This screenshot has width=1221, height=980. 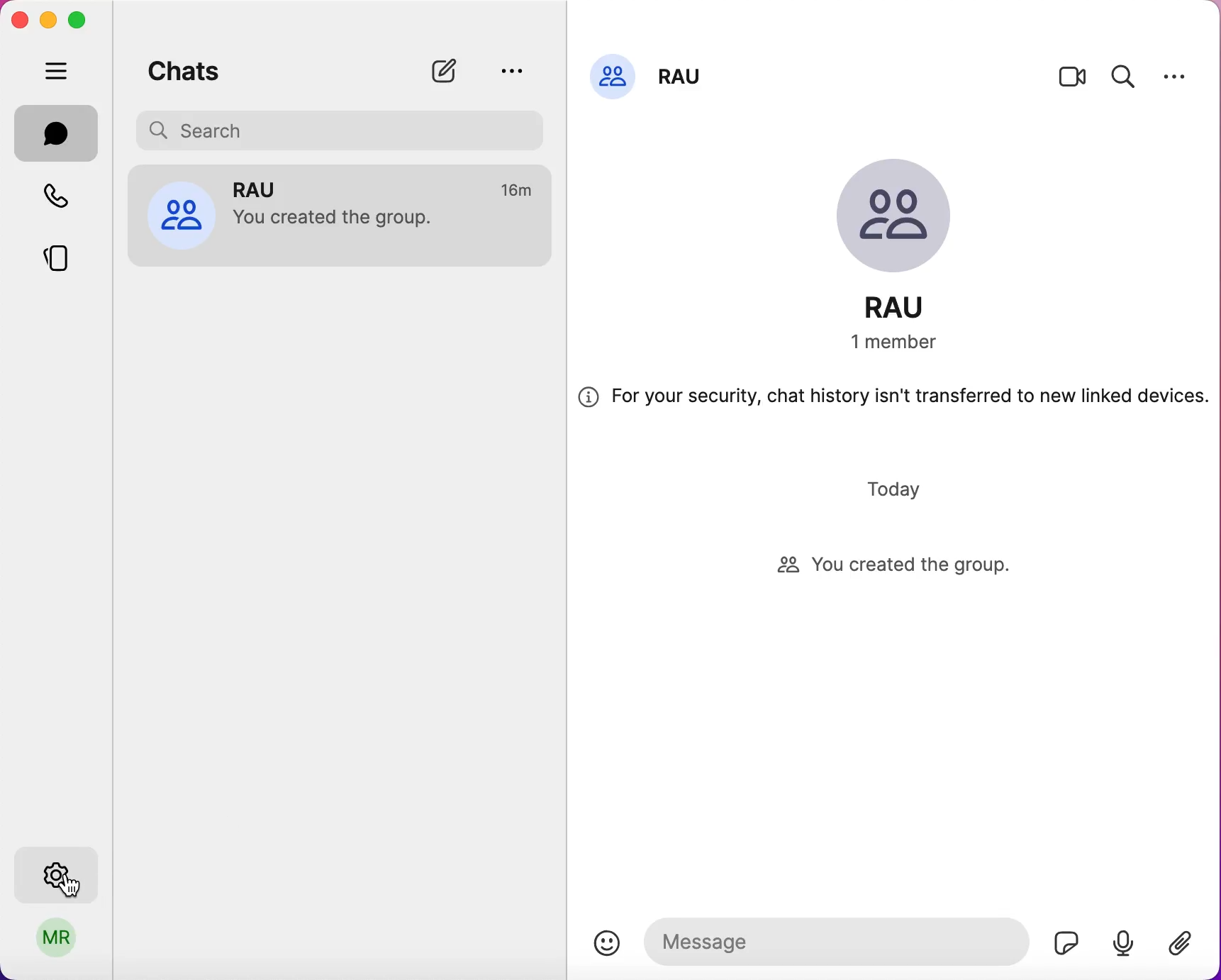 What do you see at coordinates (684, 72) in the screenshot?
I see `group name` at bounding box center [684, 72].